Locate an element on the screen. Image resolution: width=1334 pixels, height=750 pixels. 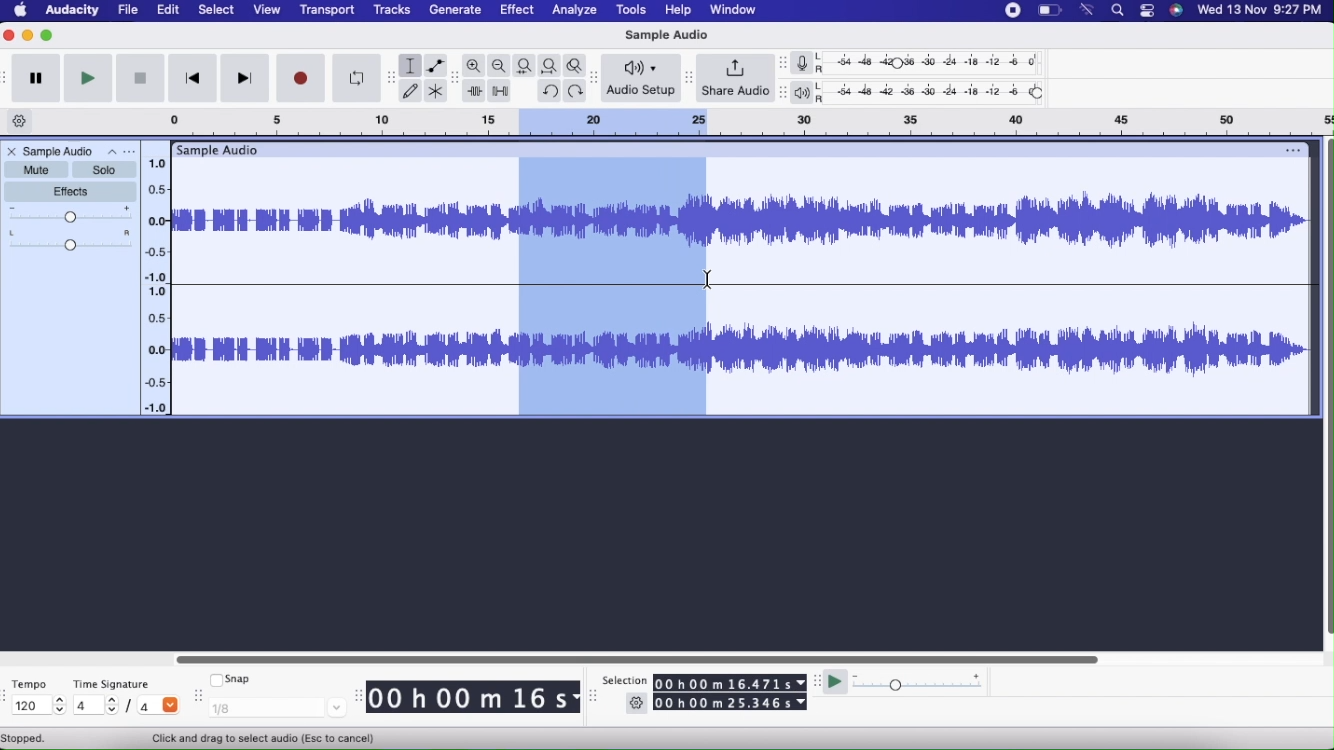
Fit project to width is located at coordinates (552, 65).